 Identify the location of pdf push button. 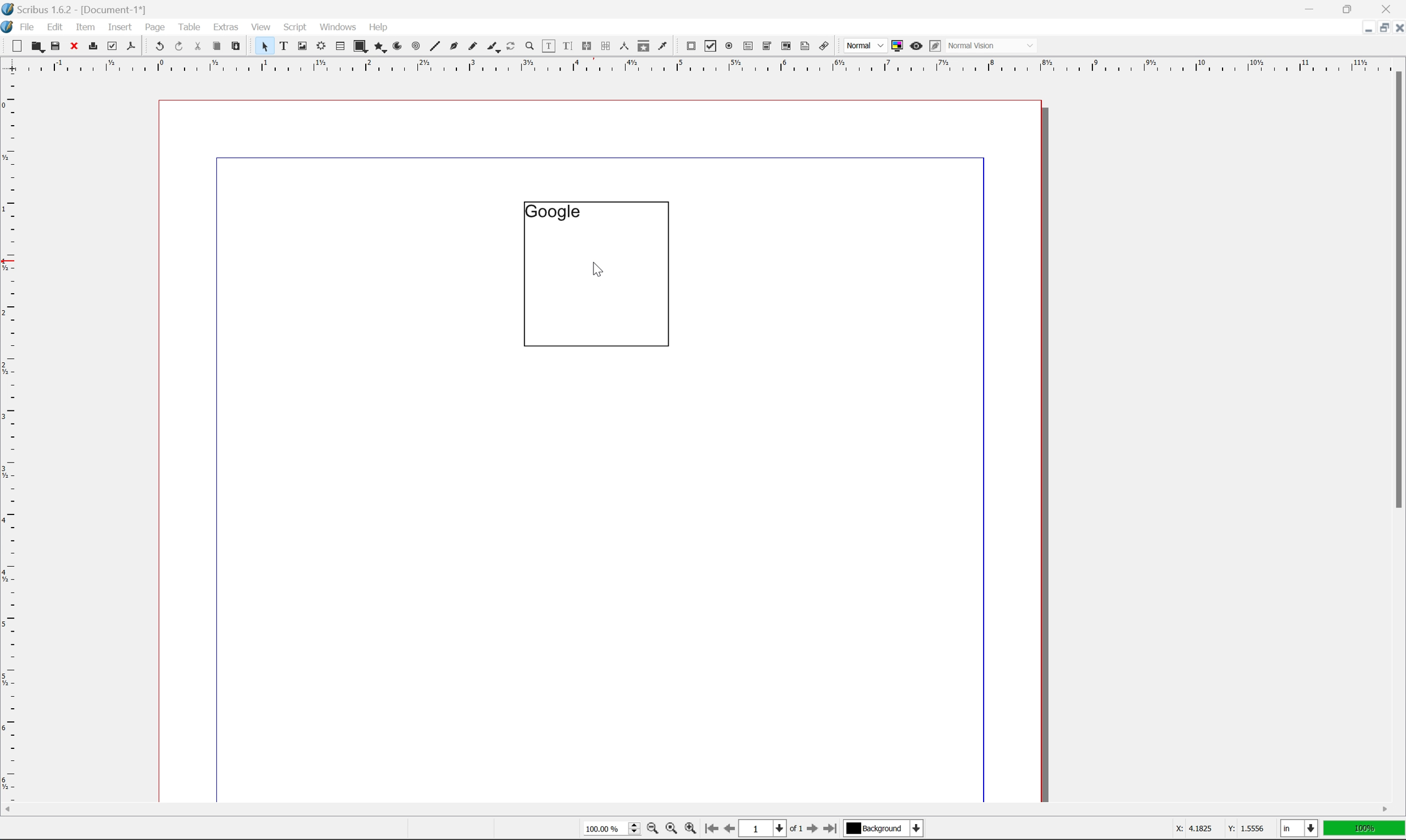
(687, 45).